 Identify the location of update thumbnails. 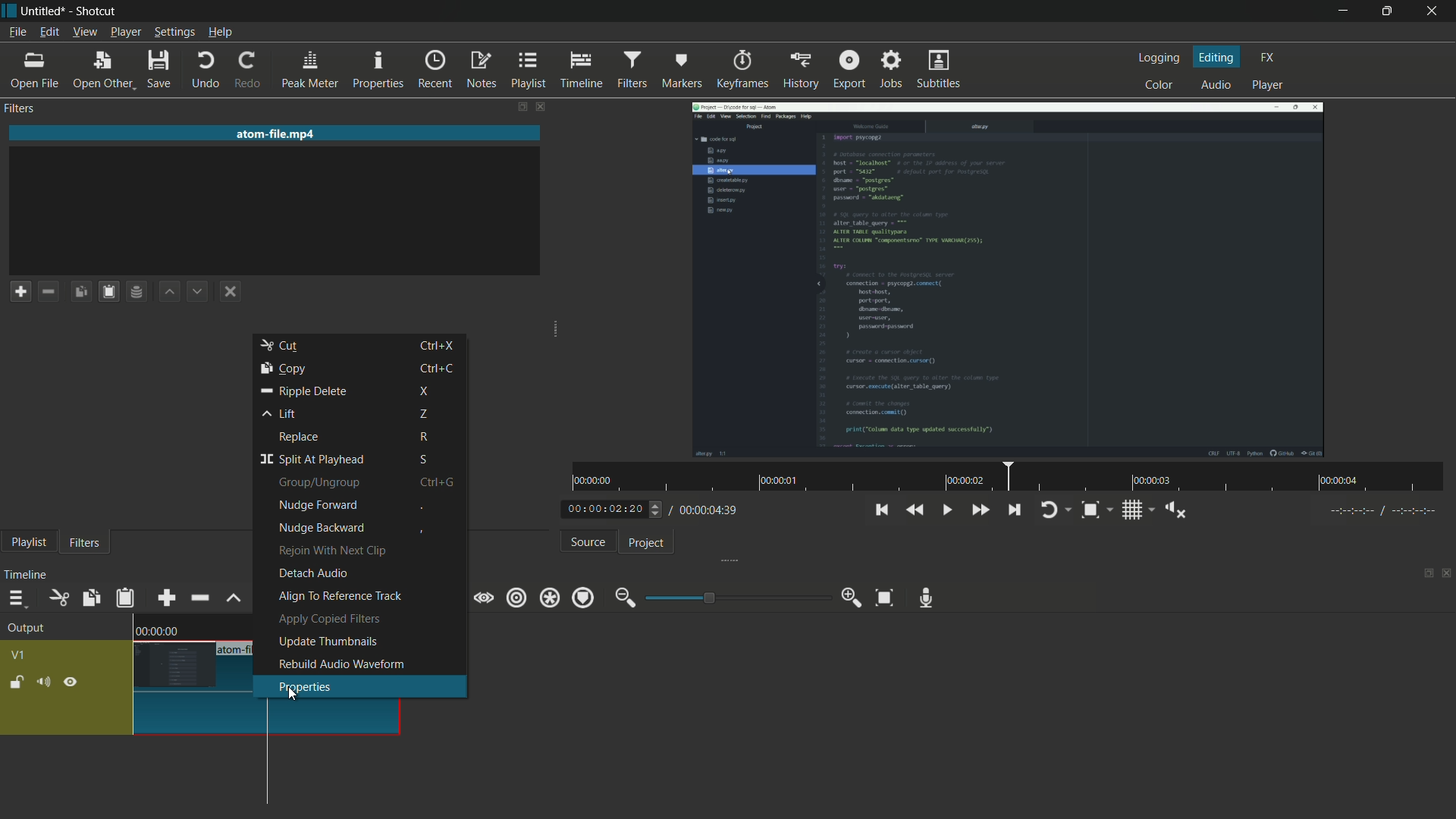
(328, 641).